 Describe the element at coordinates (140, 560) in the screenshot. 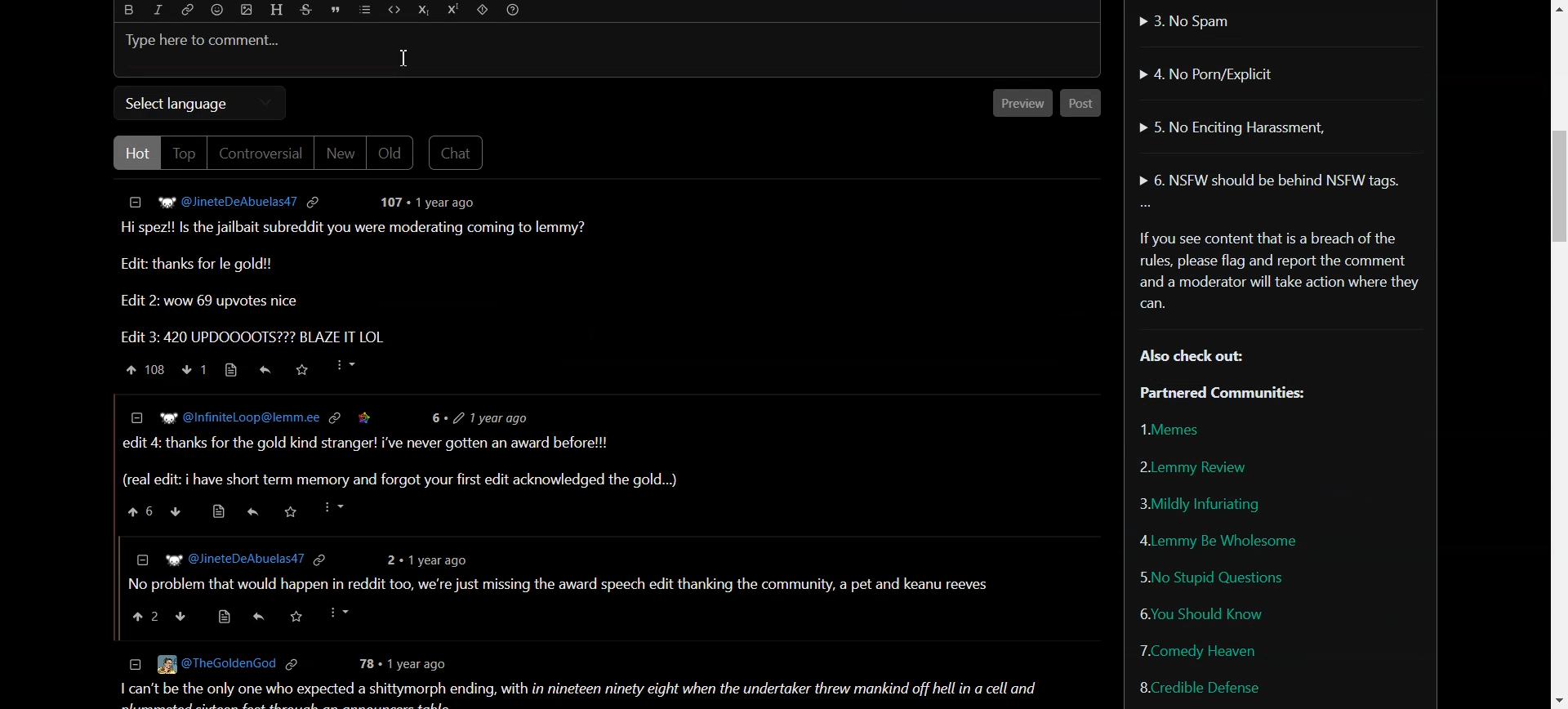

I see `collapse` at that location.